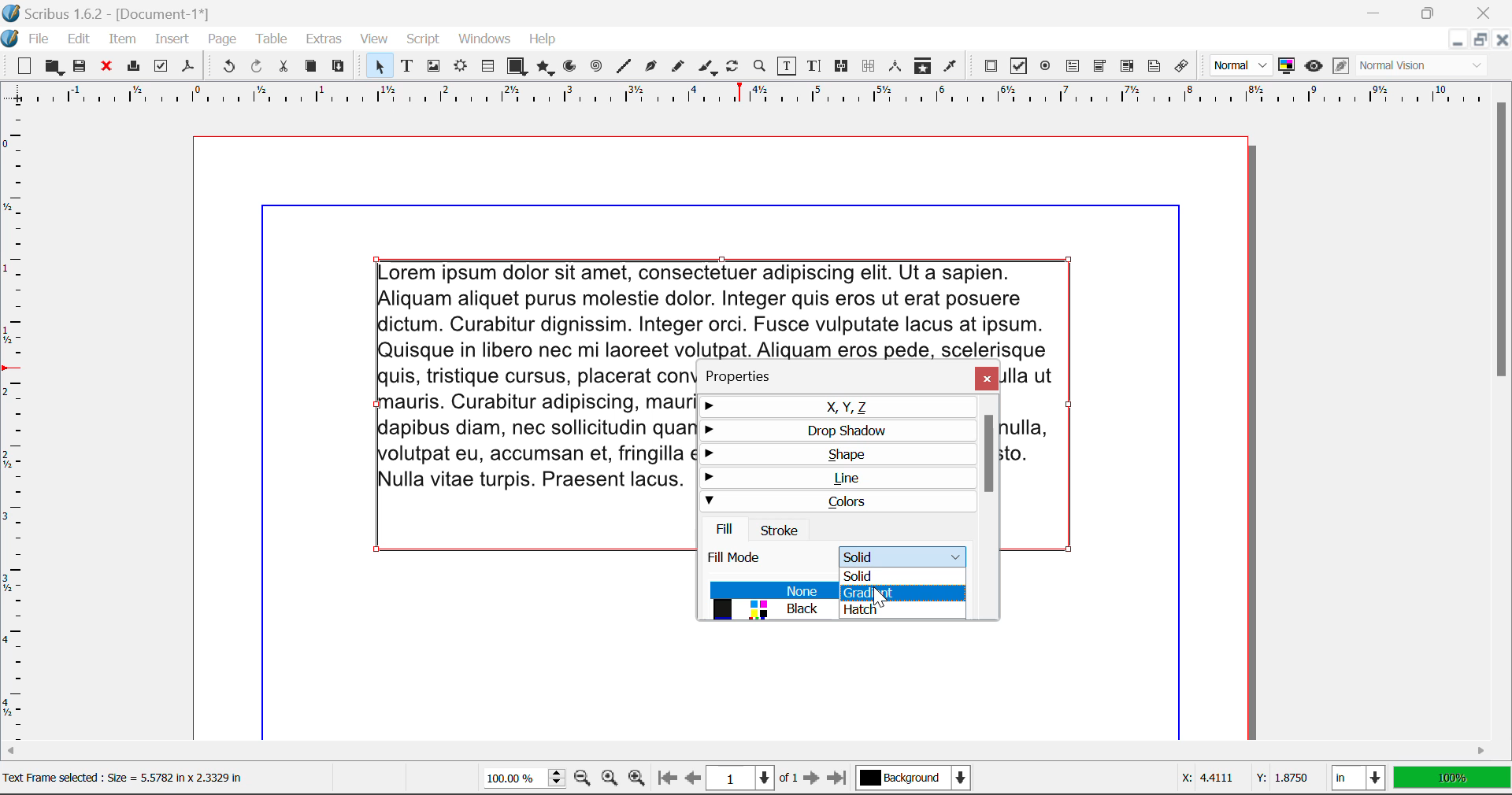  What do you see at coordinates (584, 779) in the screenshot?
I see `Zoom Out` at bounding box center [584, 779].